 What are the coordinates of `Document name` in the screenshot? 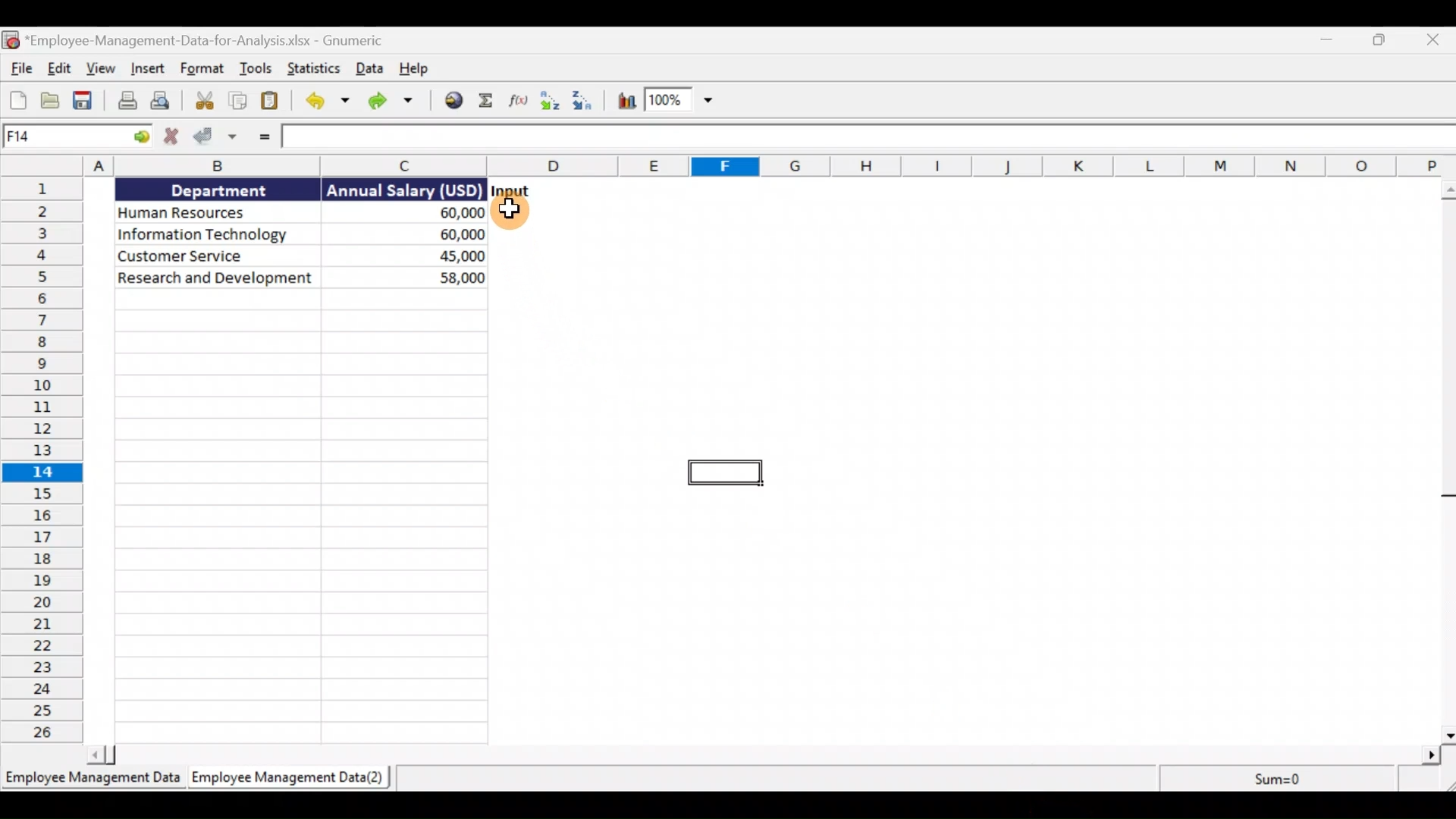 It's located at (193, 41).